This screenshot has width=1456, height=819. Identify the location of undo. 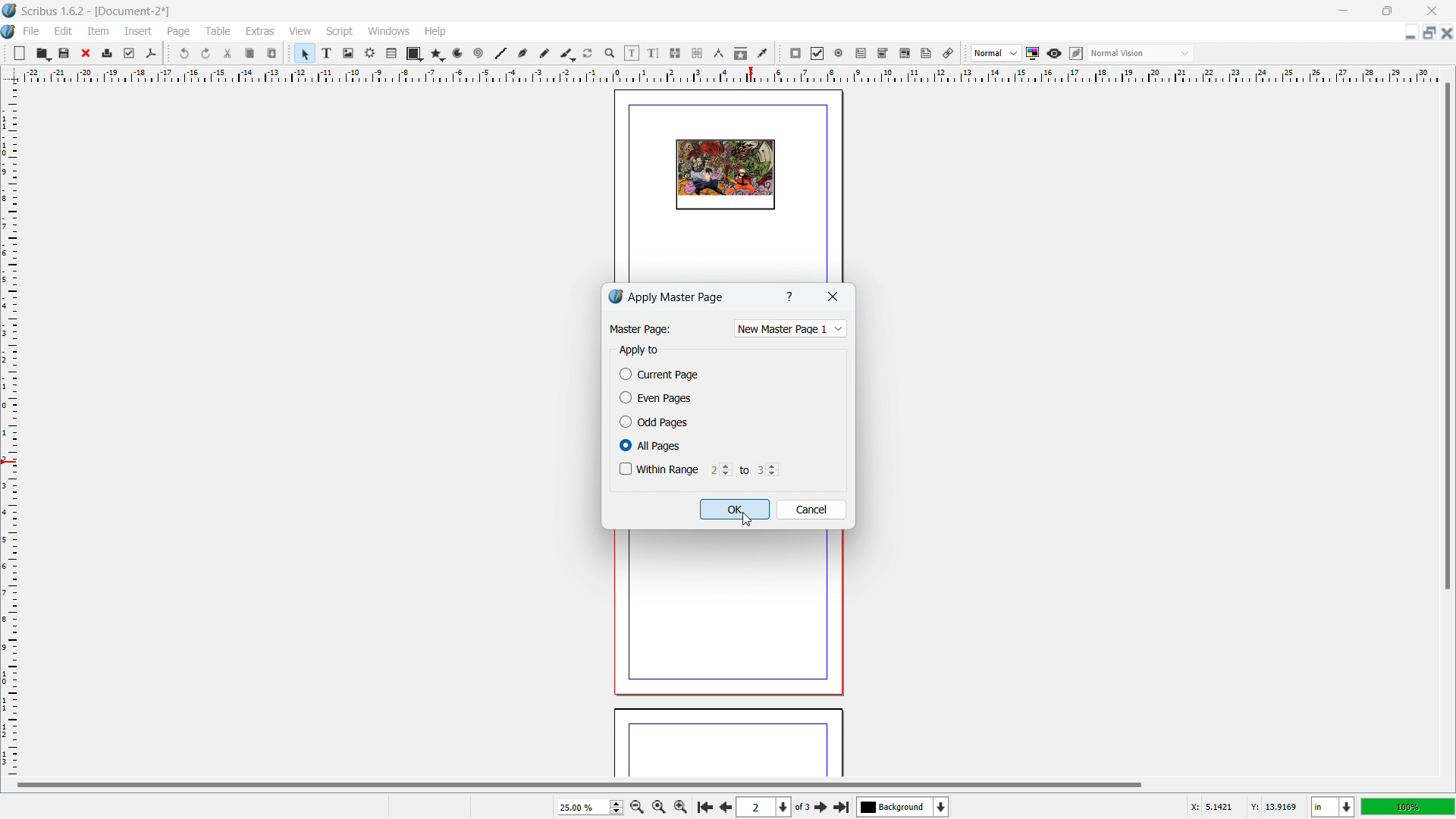
(186, 53).